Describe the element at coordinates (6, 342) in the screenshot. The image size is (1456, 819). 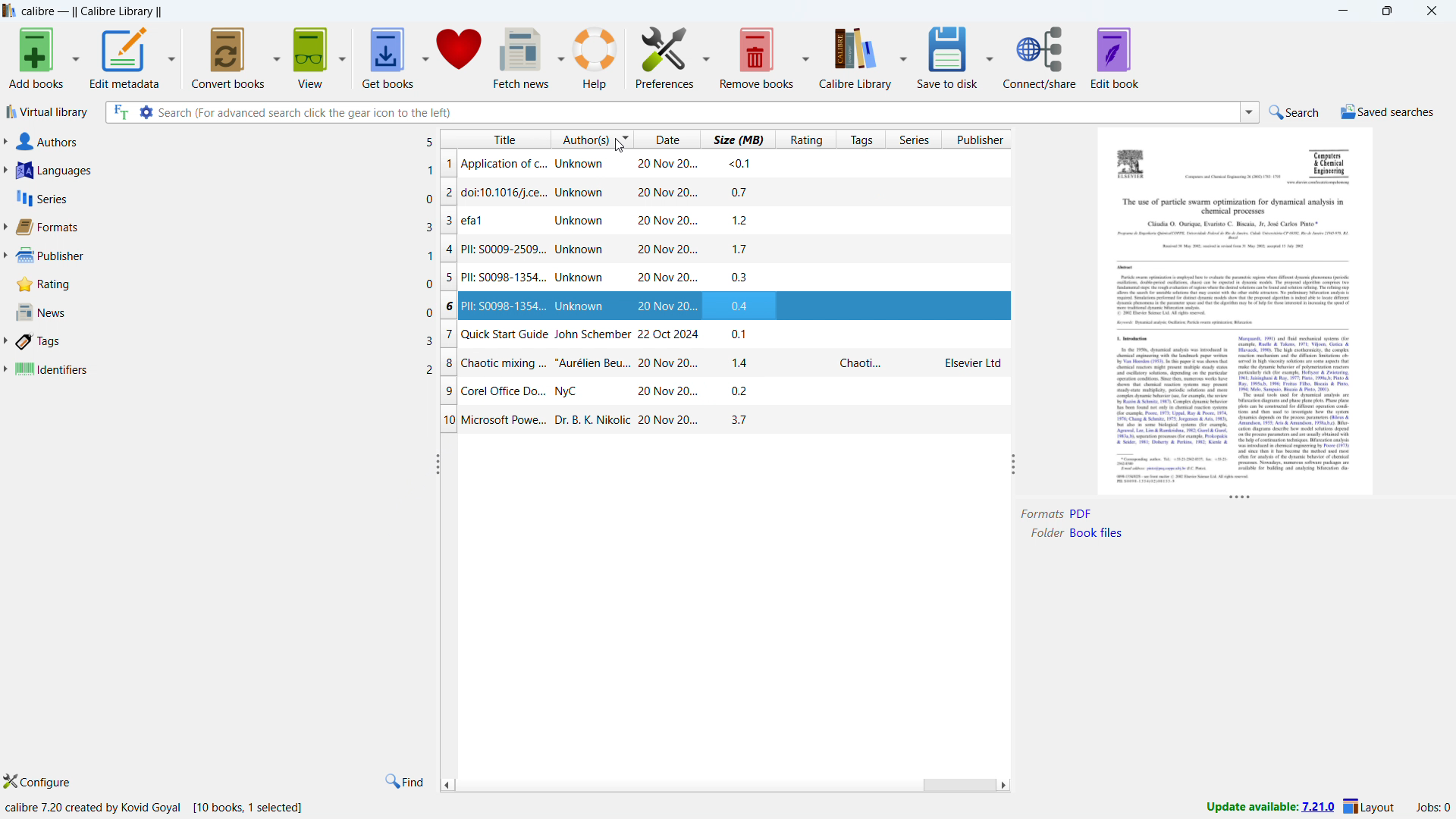
I see `expand tags` at that location.